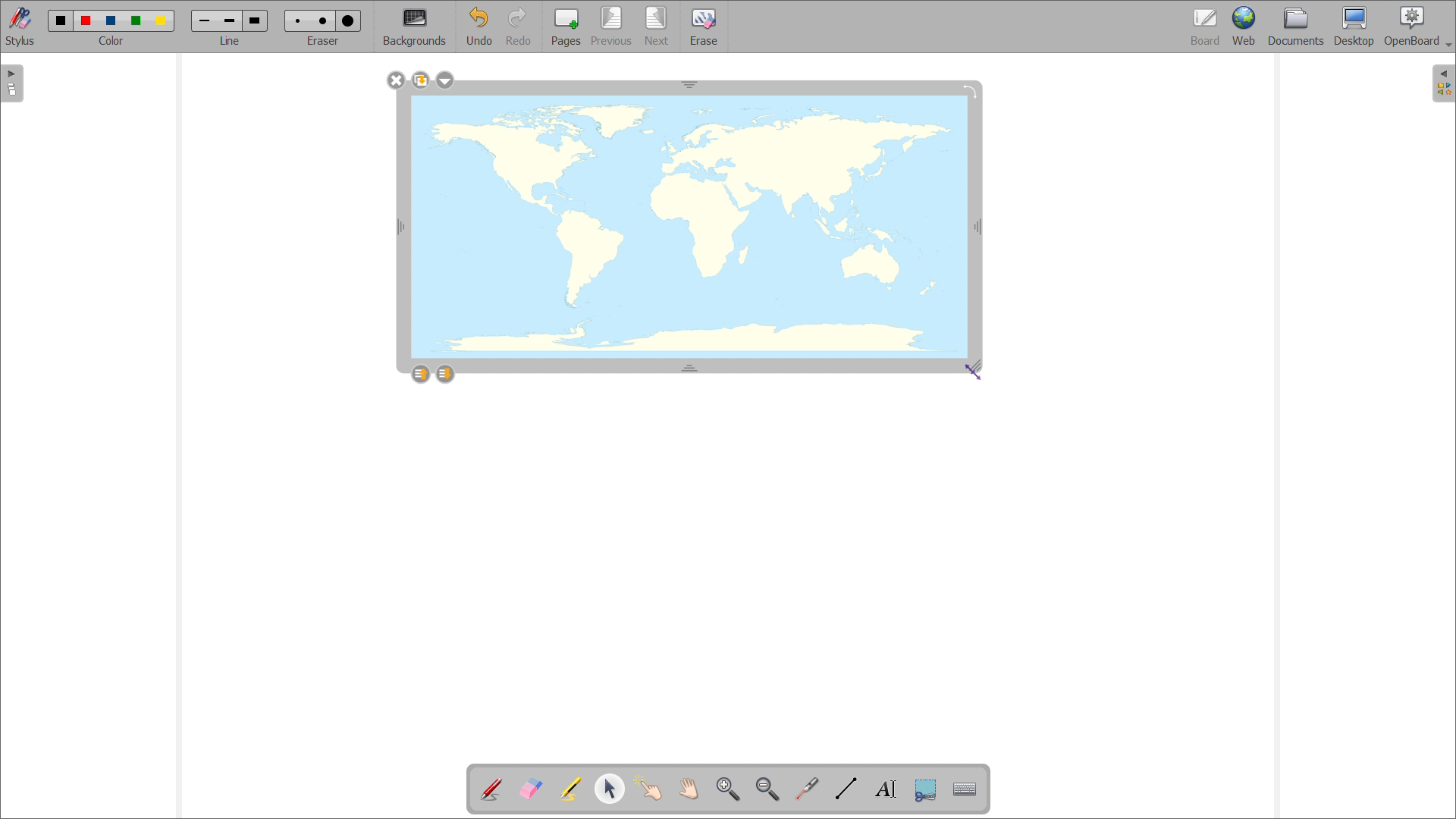 The width and height of the screenshot is (1456, 819). What do you see at coordinates (965, 789) in the screenshot?
I see `virtual keyboard` at bounding box center [965, 789].